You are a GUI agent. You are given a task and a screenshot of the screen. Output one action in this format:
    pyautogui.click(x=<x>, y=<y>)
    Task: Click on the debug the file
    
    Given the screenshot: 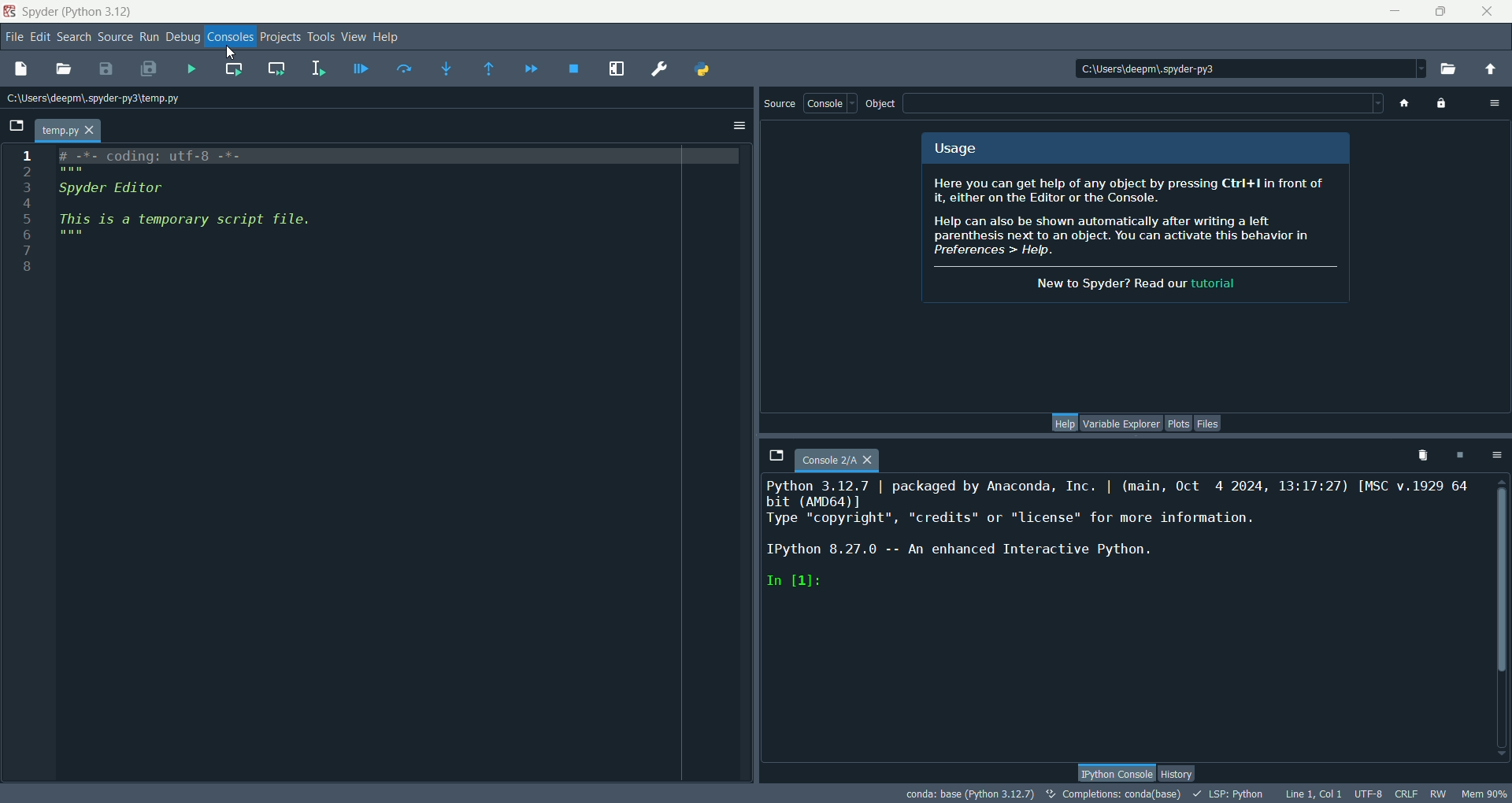 What is the action you would take?
    pyautogui.click(x=360, y=71)
    